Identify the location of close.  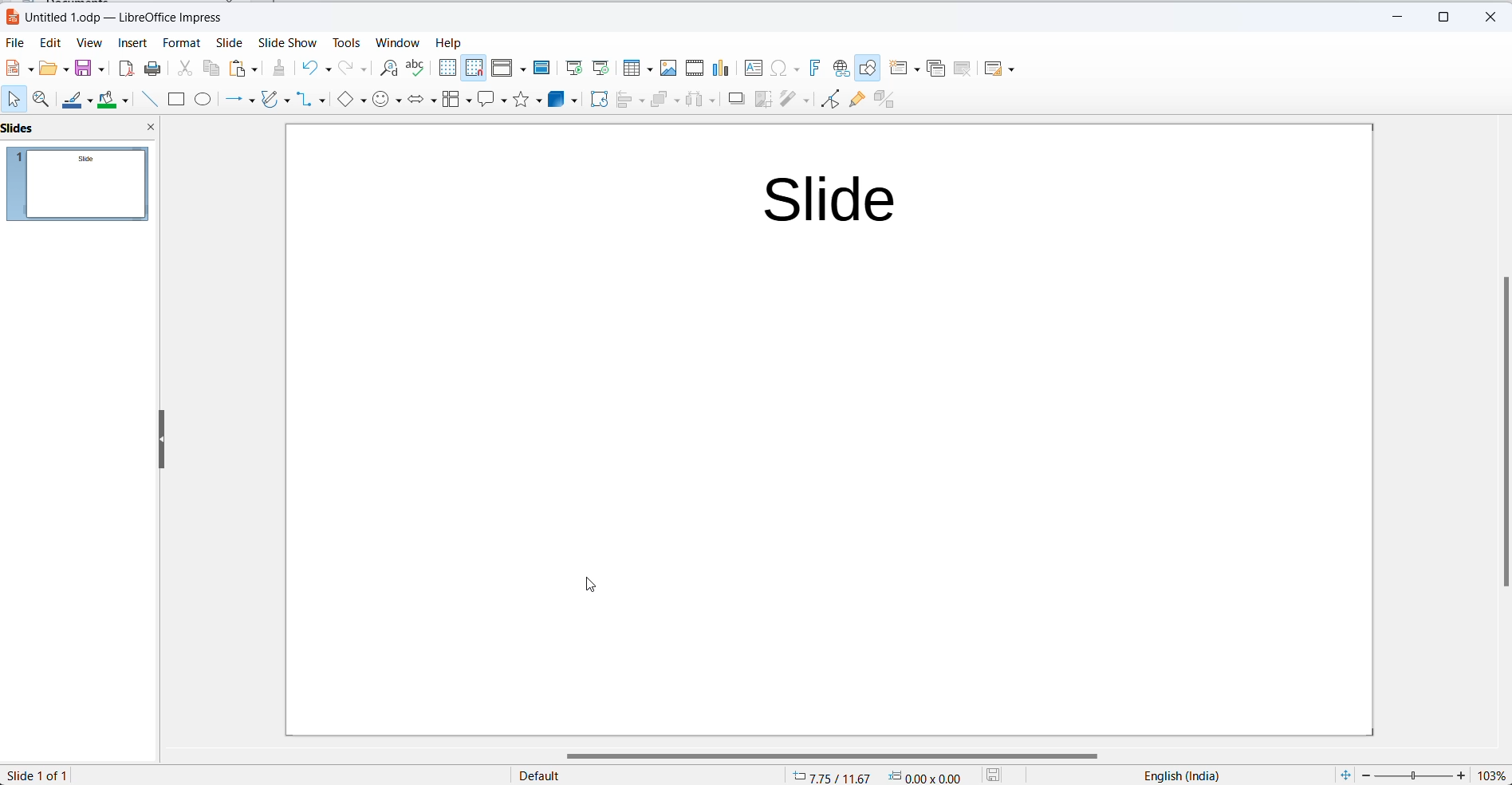
(1487, 18).